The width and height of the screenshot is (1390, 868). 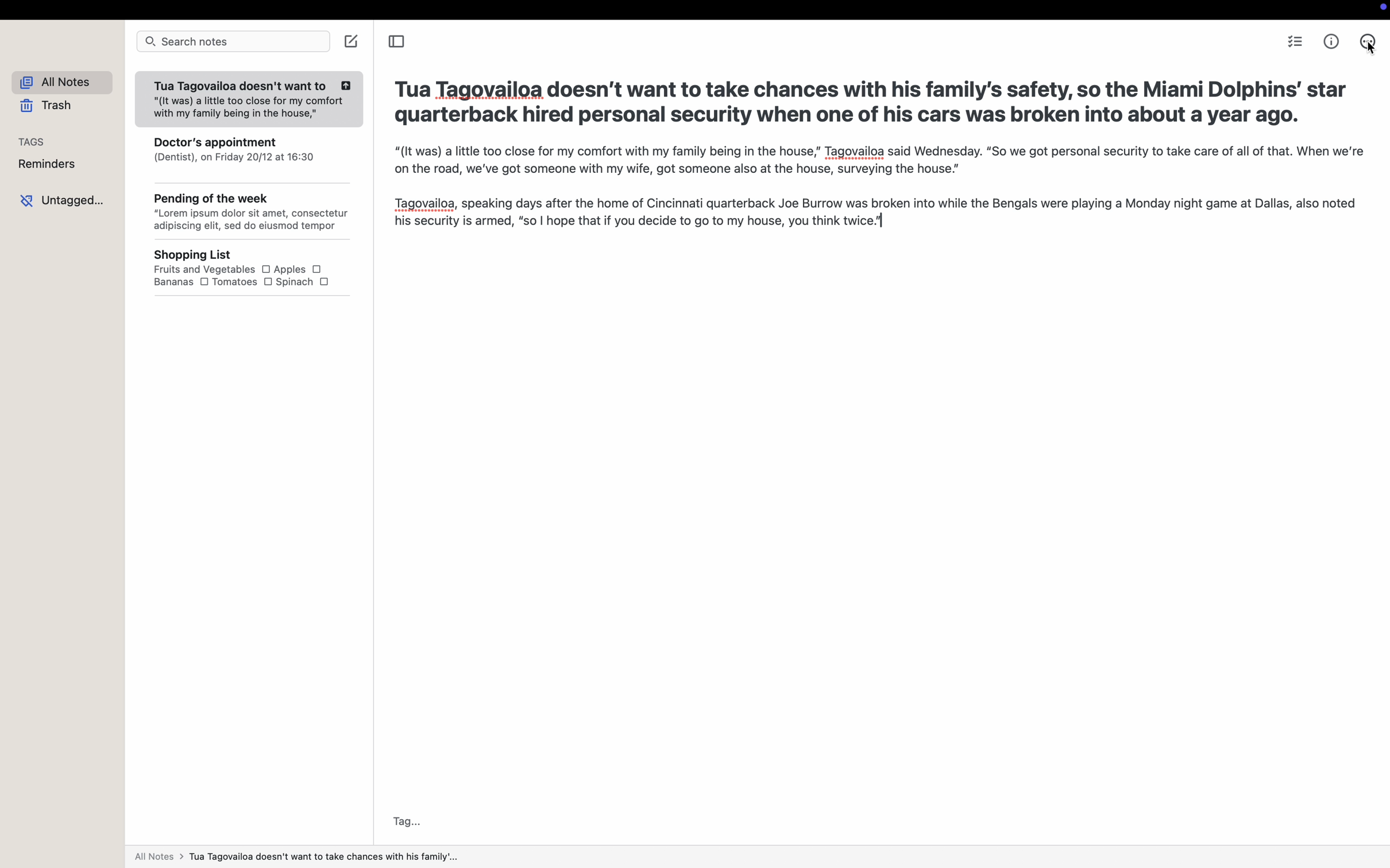 What do you see at coordinates (43, 165) in the screenshot?
I see `reminders` at bounding box center [43, 165].